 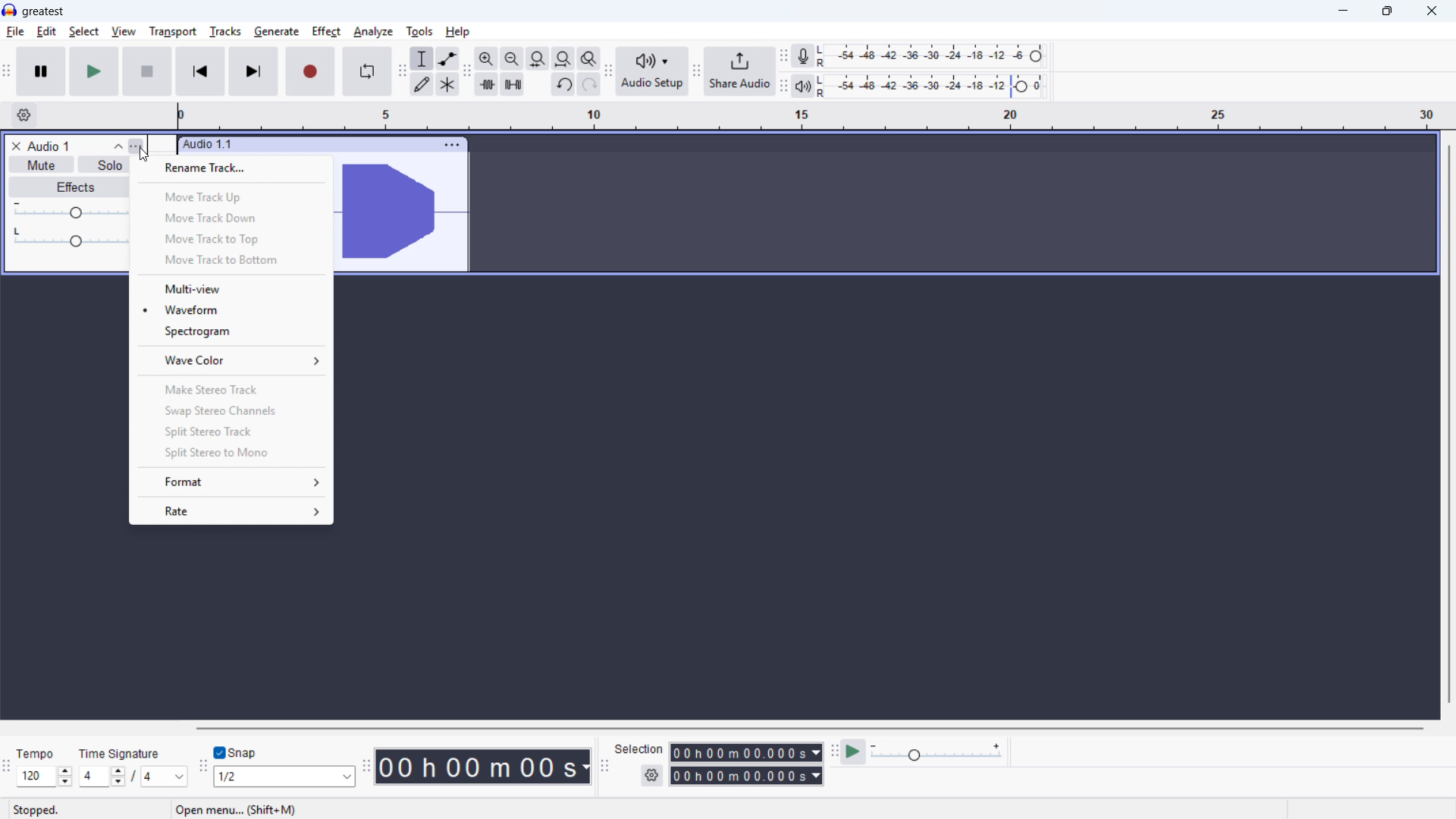 What do you see at coordinates (697, 72) in the screenshot?
I see `share audio toolbar` at bounding box center [697, 72].